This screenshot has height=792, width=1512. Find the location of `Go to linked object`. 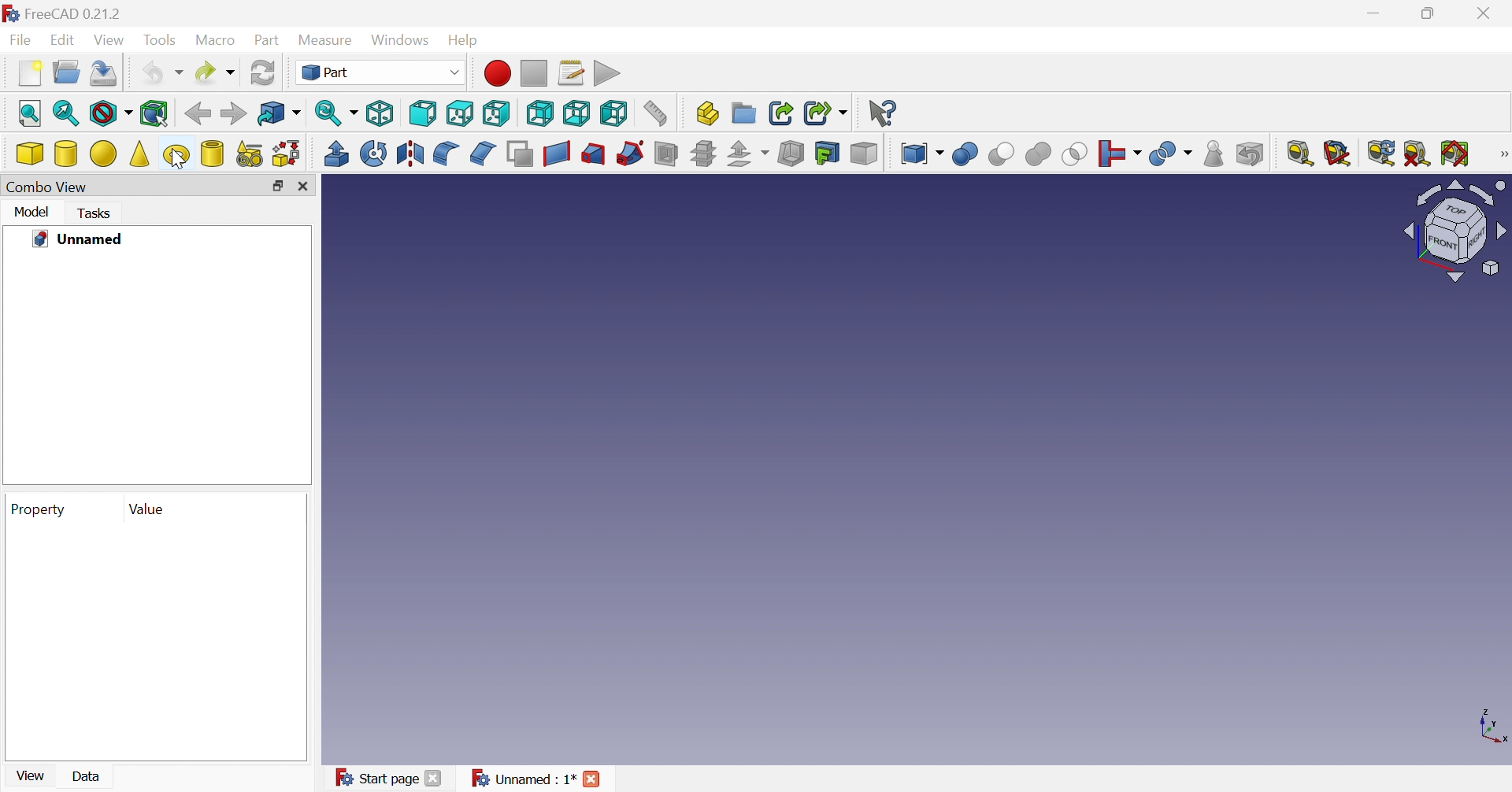

Go to linked object is located at coordinates (279, 112).